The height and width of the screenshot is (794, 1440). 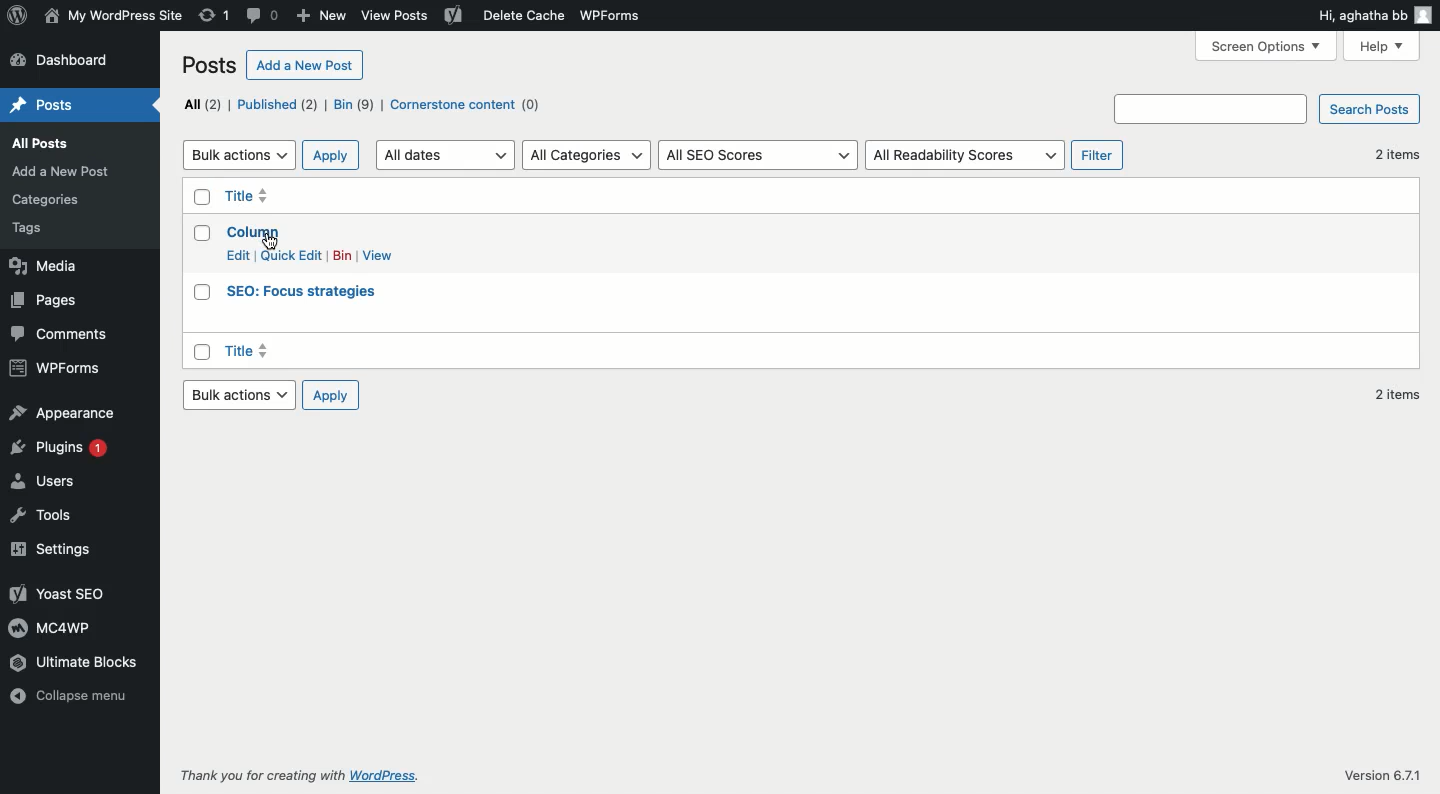 I want to click on Collapse menu, so click(x=74, y=701).